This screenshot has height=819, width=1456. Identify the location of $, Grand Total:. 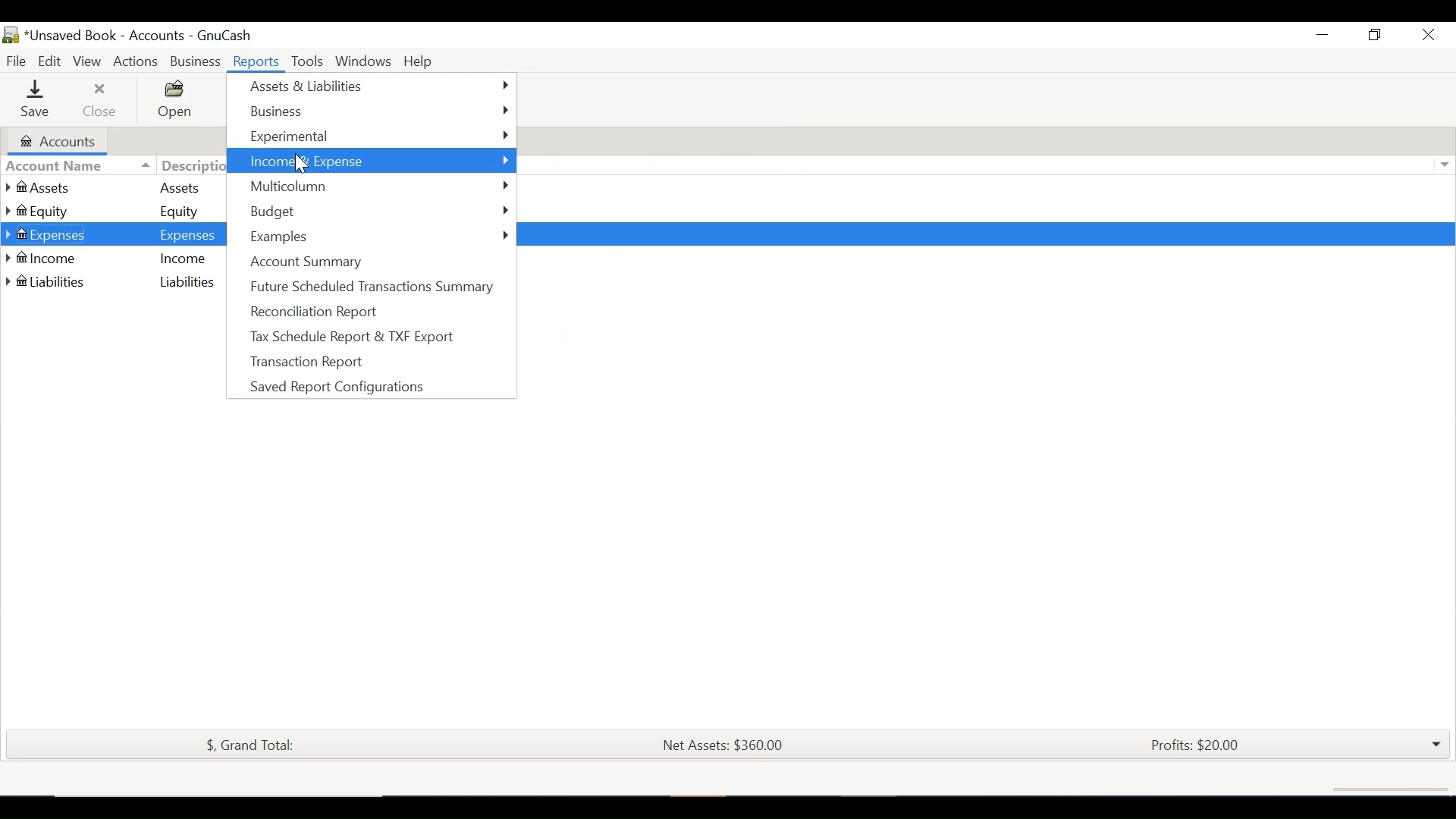
(246, 745).